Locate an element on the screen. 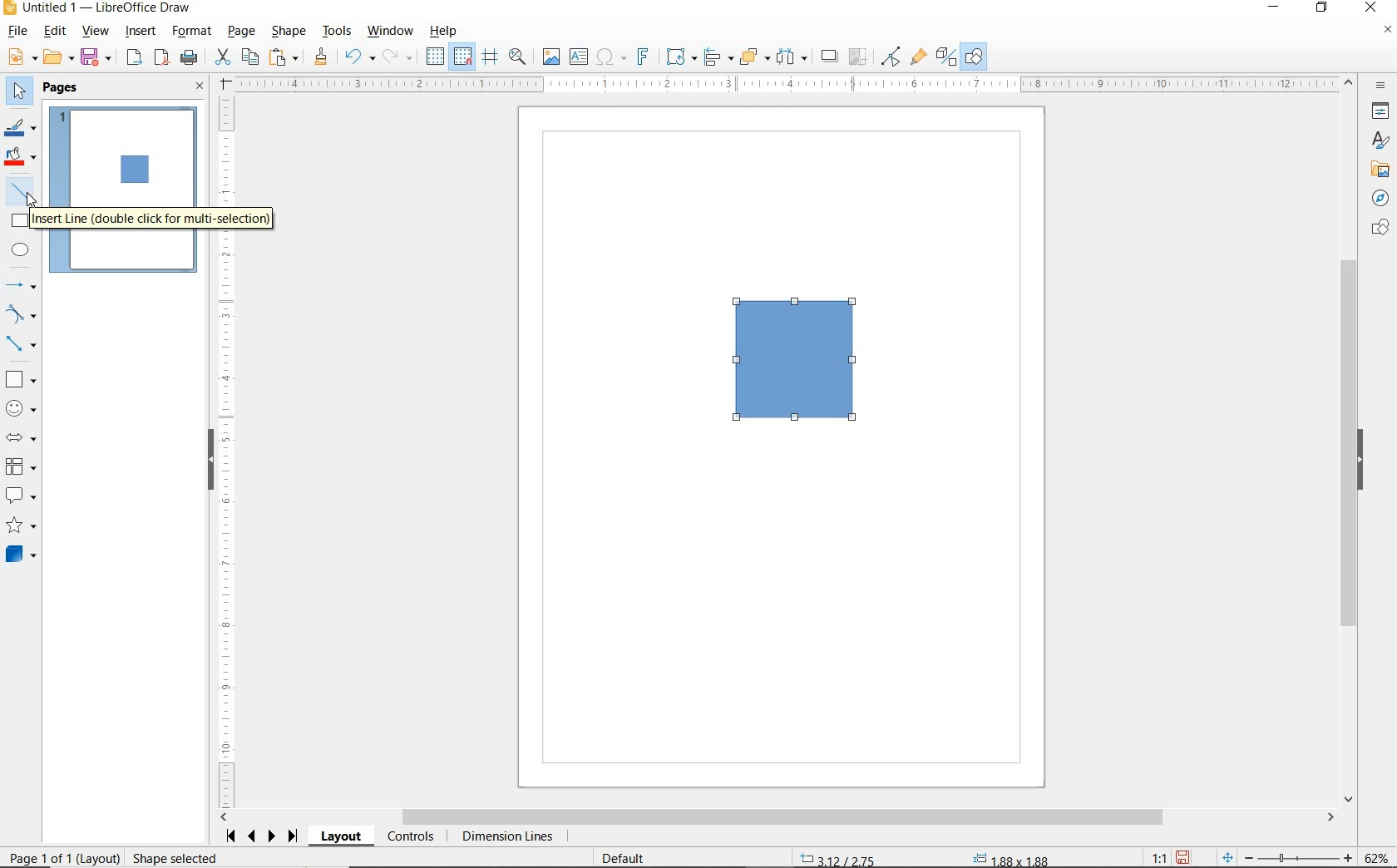 Image resolution: width=1397 pixels, height=868 pixels. WINDOW is located at coordinates (391, 32).